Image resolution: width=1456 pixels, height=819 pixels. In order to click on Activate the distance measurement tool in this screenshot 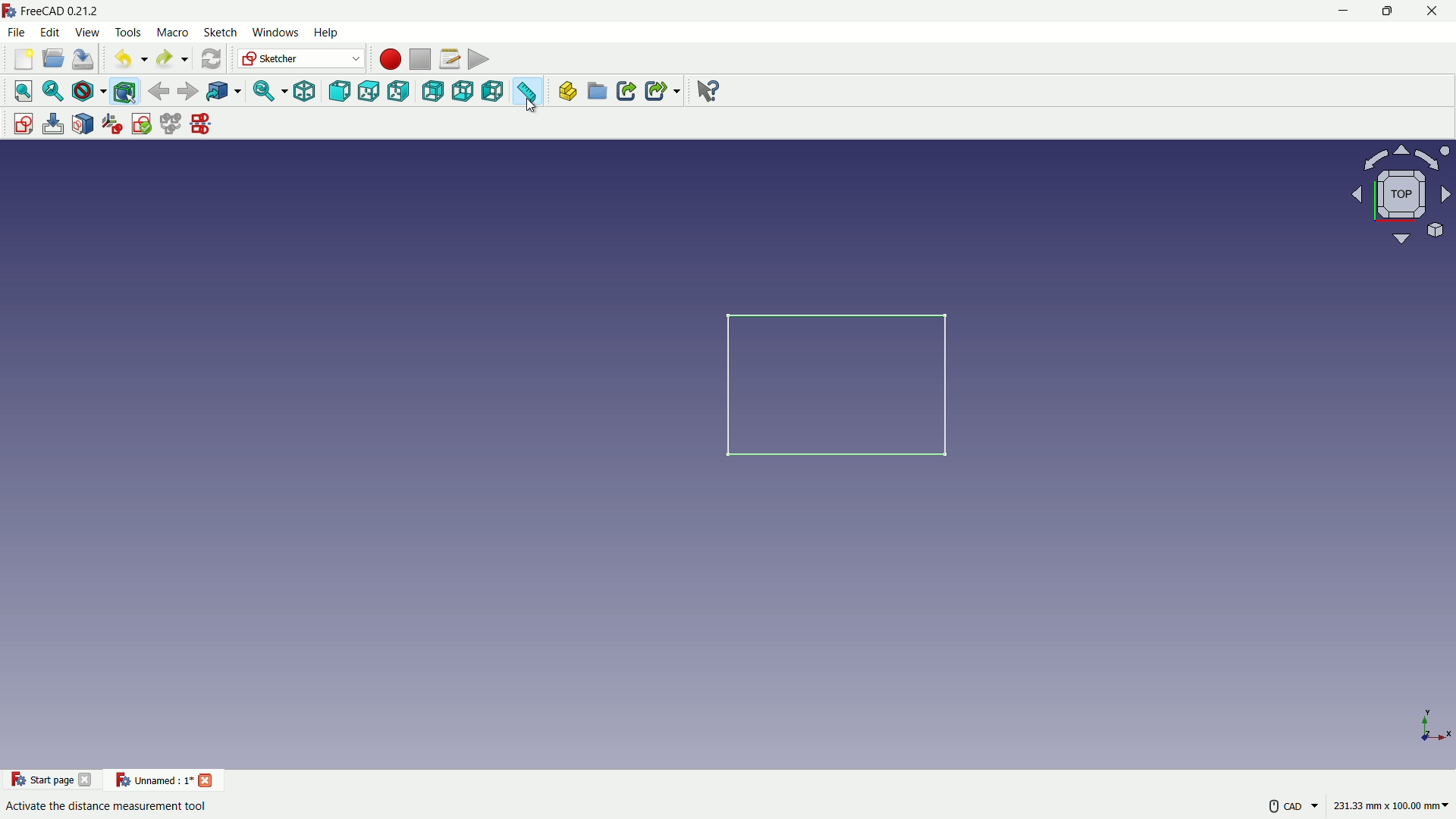, I will do `click(124, 805)`.